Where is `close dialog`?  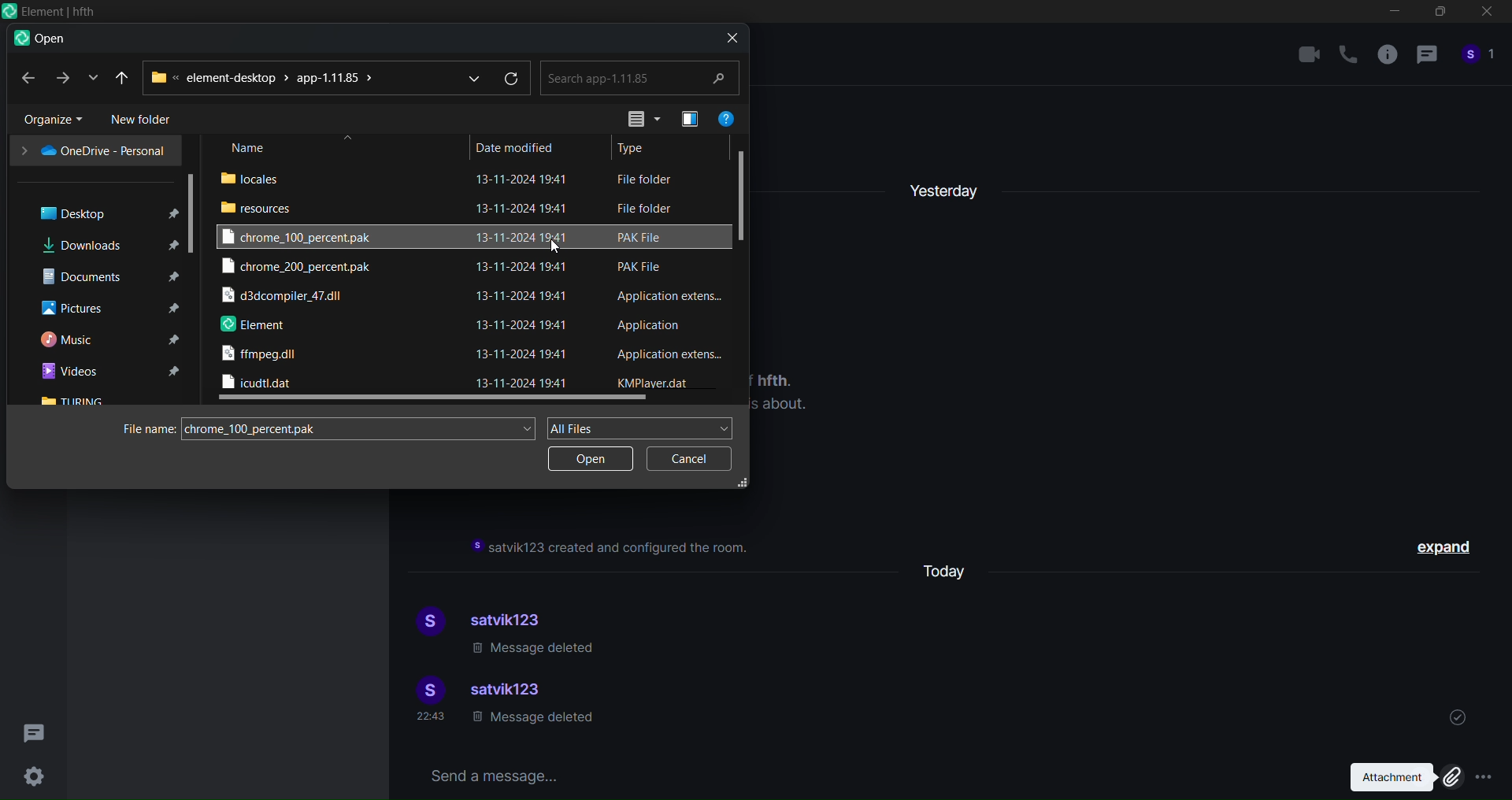
close dialog is located at coordinates (728, 37).